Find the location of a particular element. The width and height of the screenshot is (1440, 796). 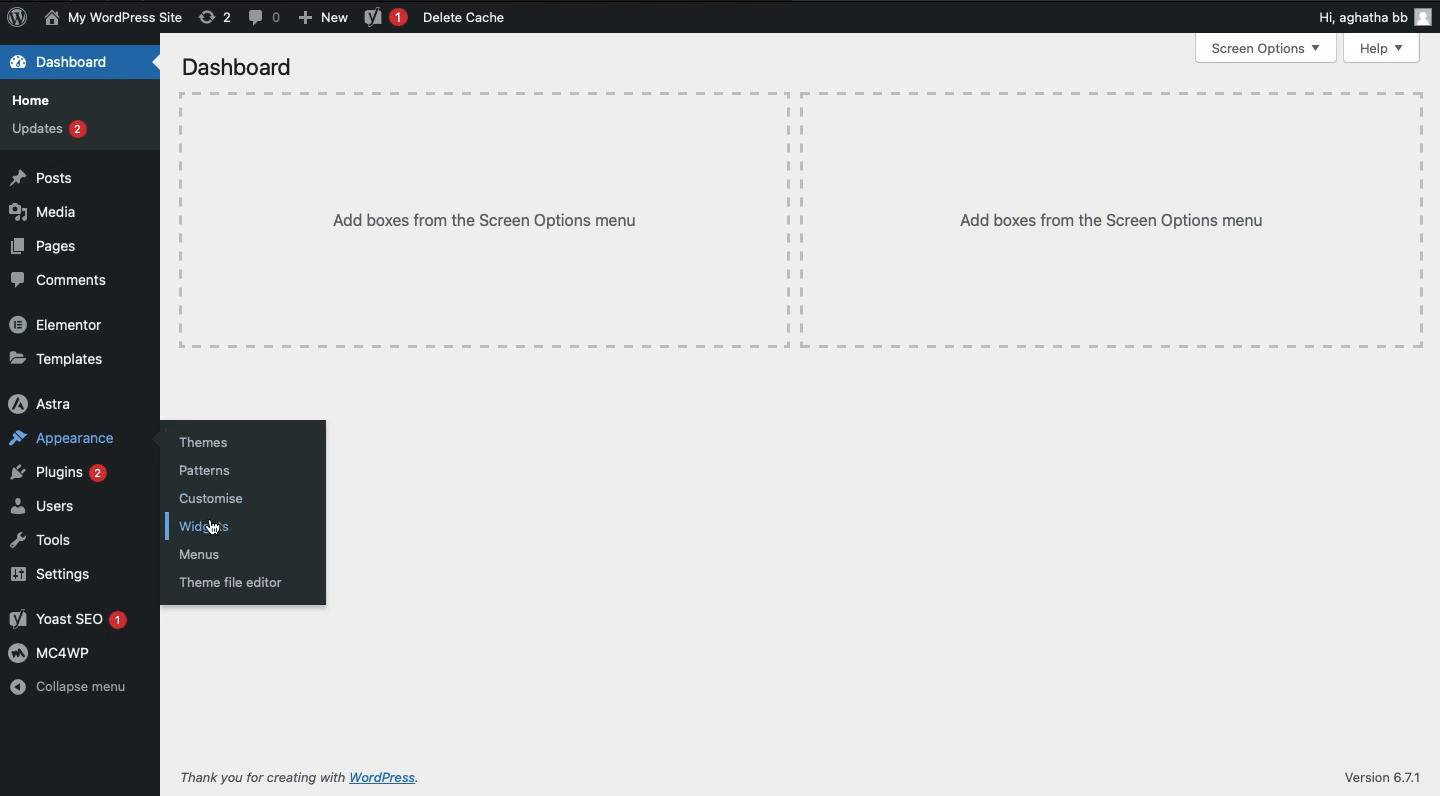

 is located at coordinates (267, 20).